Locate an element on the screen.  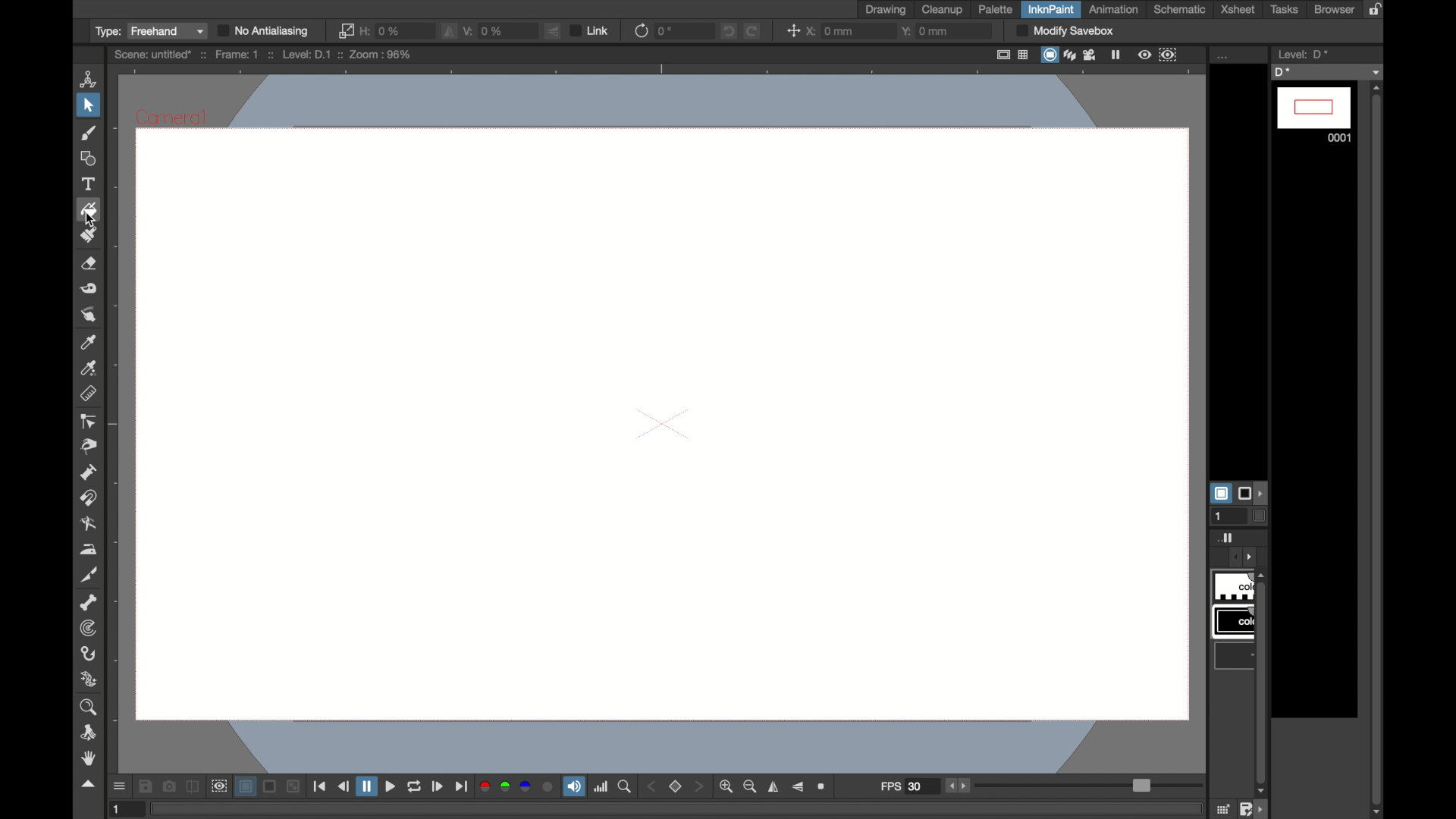
frame is located at coordinates (1169, 55).